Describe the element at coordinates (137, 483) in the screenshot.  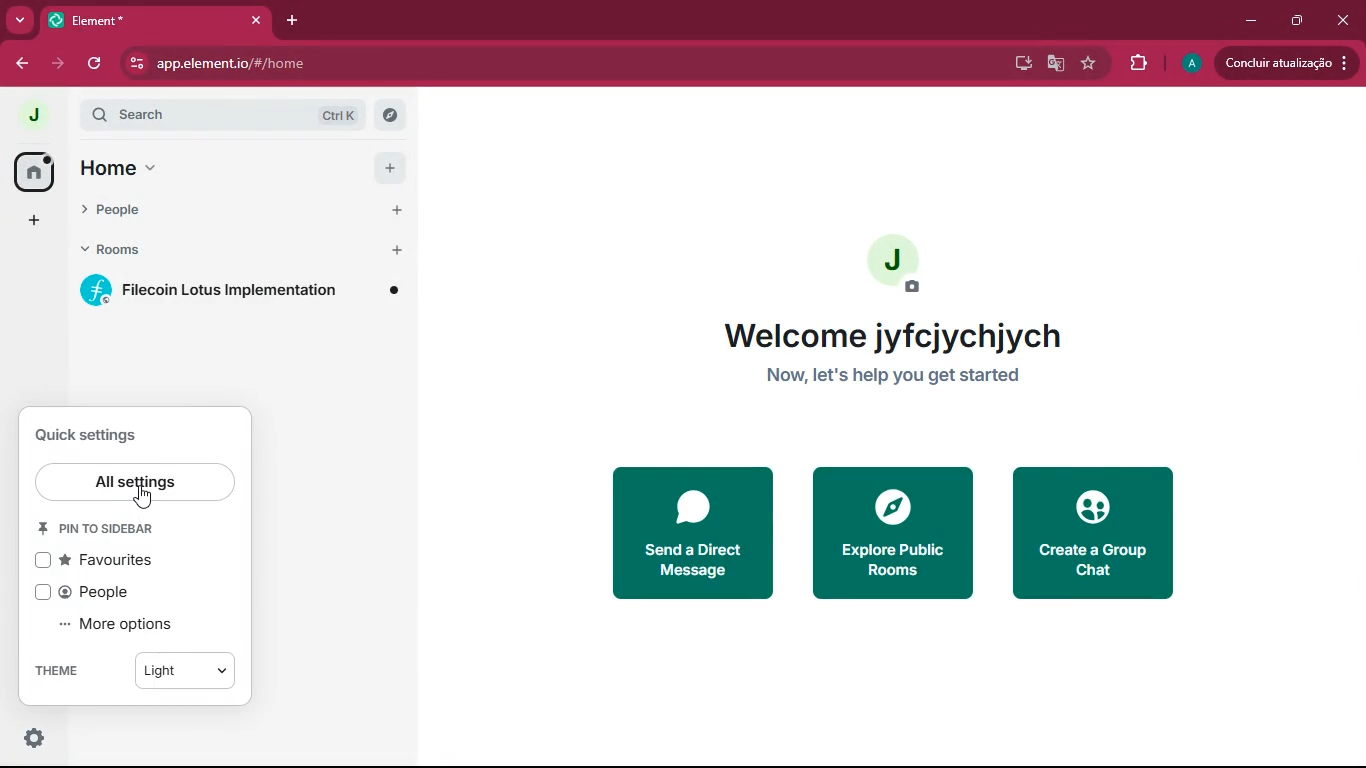
I see `all settings` at that location.